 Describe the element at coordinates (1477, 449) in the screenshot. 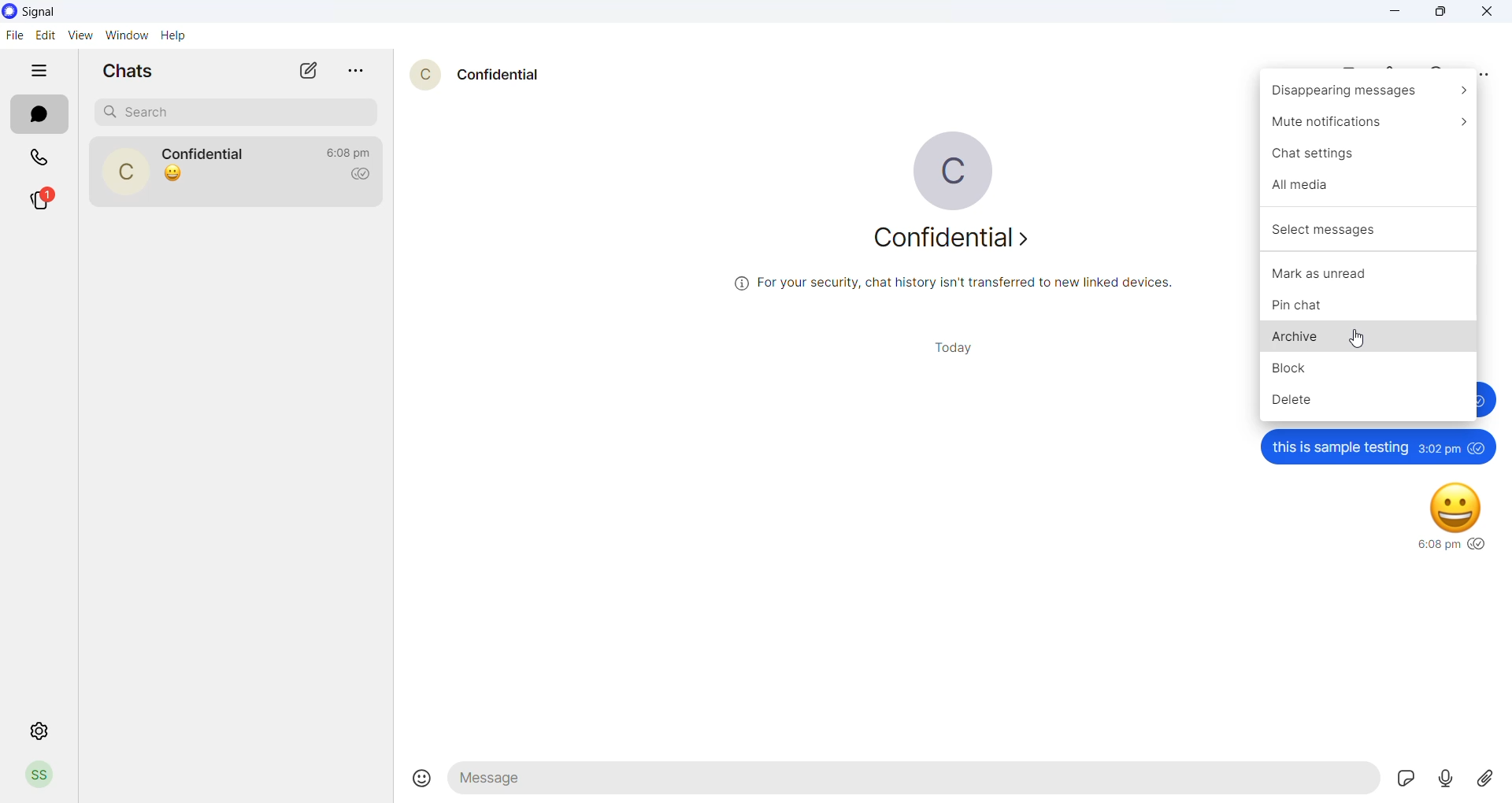

I see `seen` at that location.